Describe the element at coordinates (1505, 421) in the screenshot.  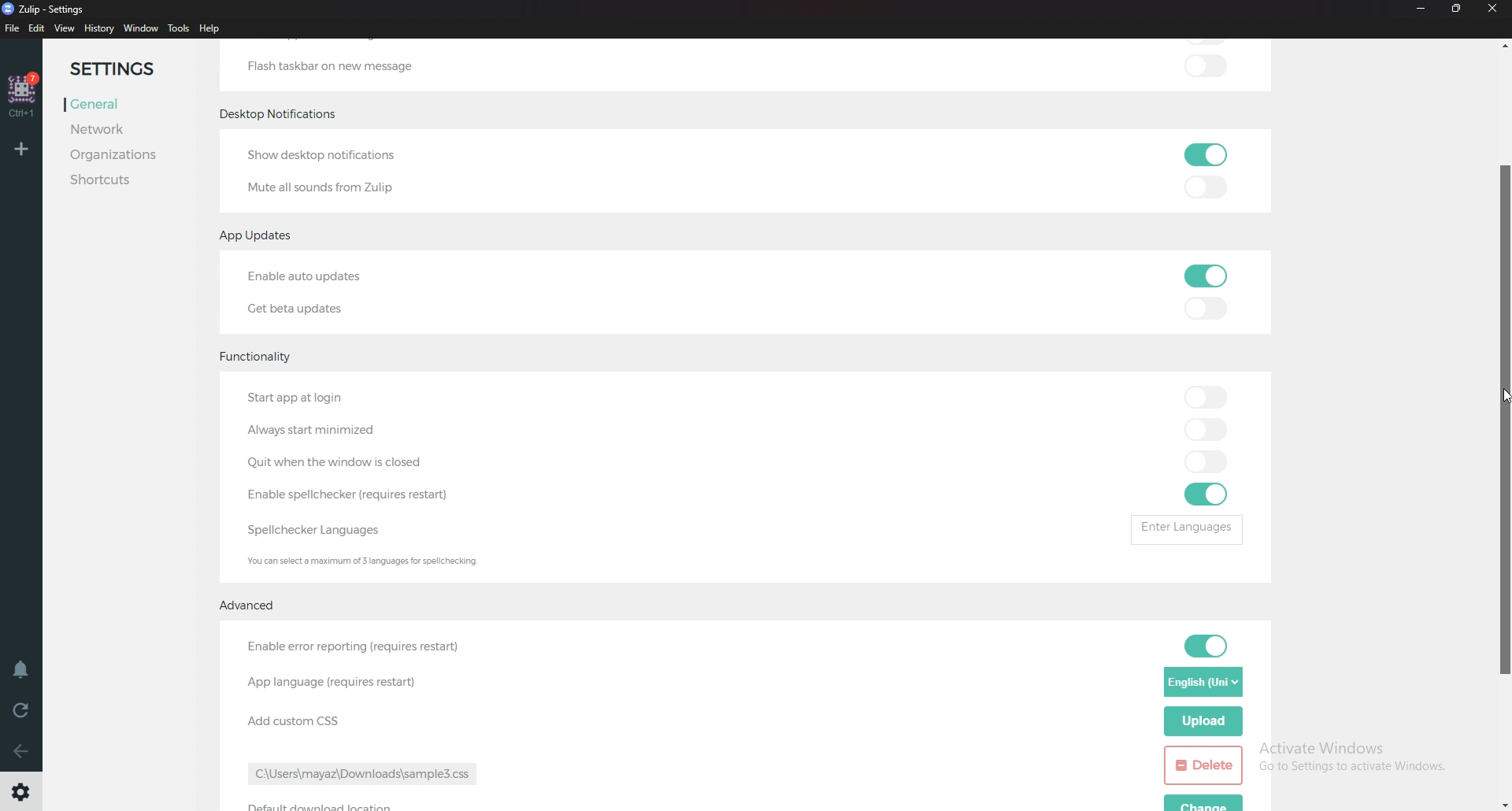
I see `Scroll bar` at that location.